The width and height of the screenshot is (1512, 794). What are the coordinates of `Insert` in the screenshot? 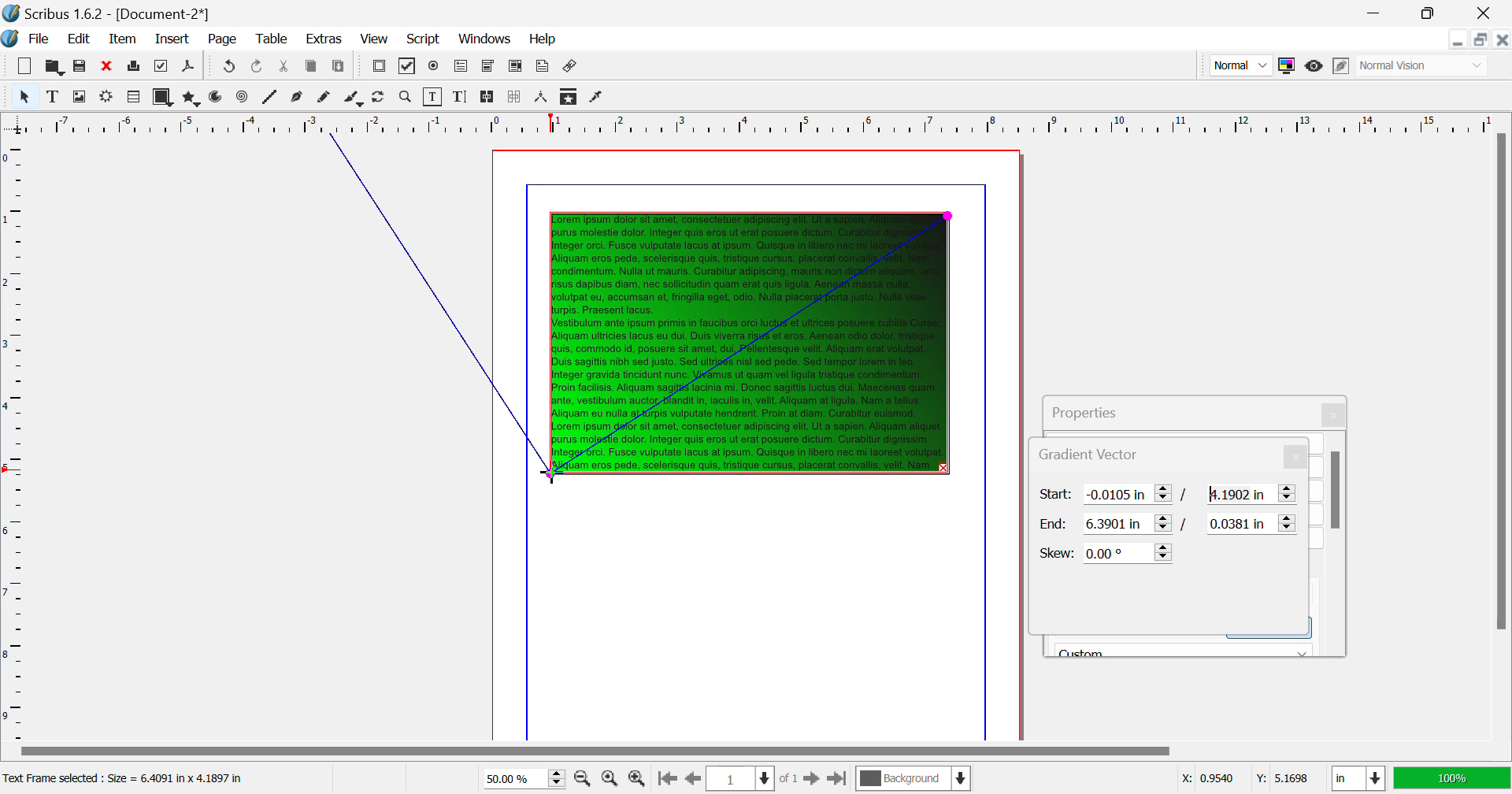 It's located at (173, 40).